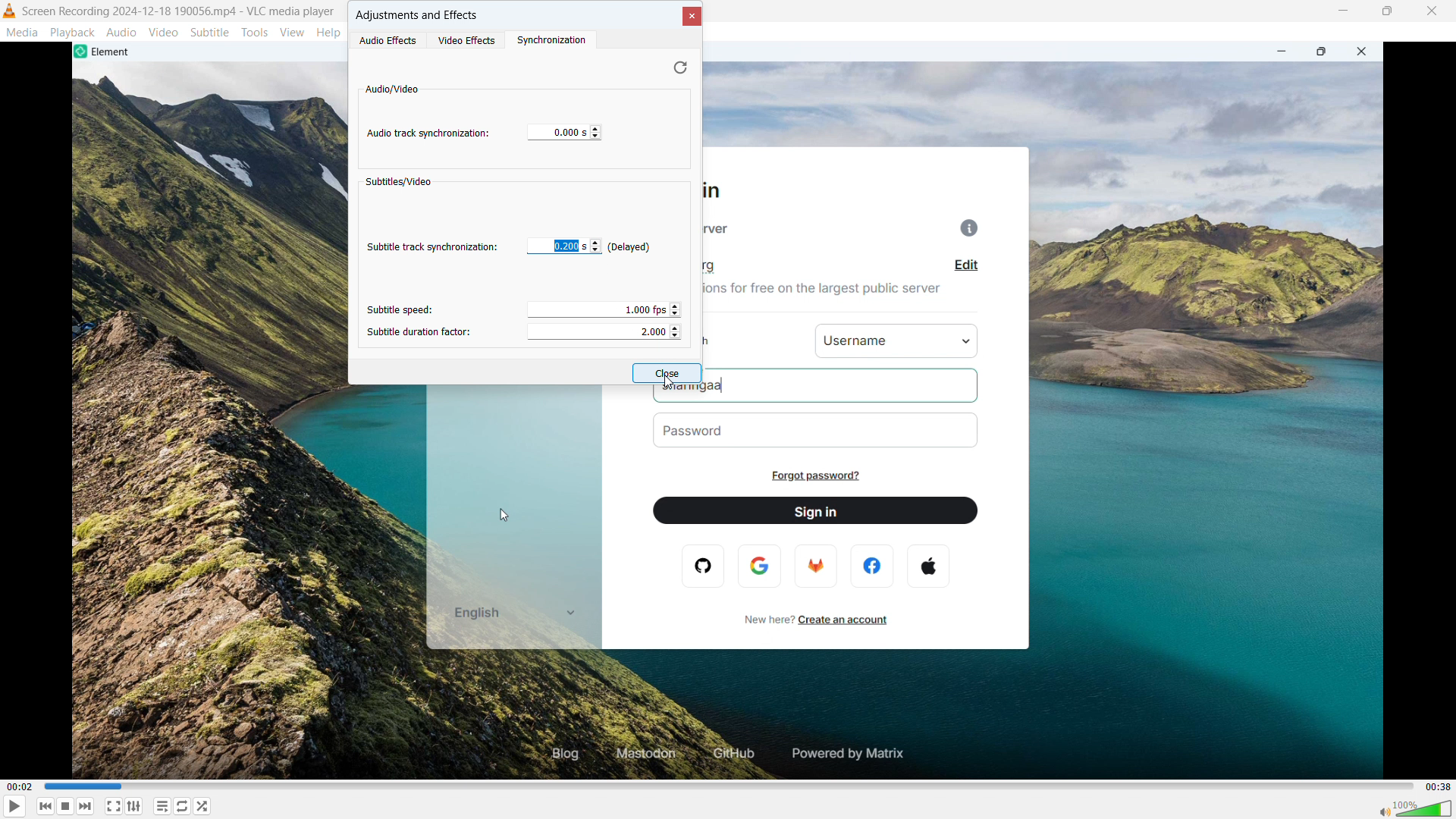  What do you see at coordinates (418, 15) in the screenshot?
I see `adjustments & effects` at bounding box center [418, 15].